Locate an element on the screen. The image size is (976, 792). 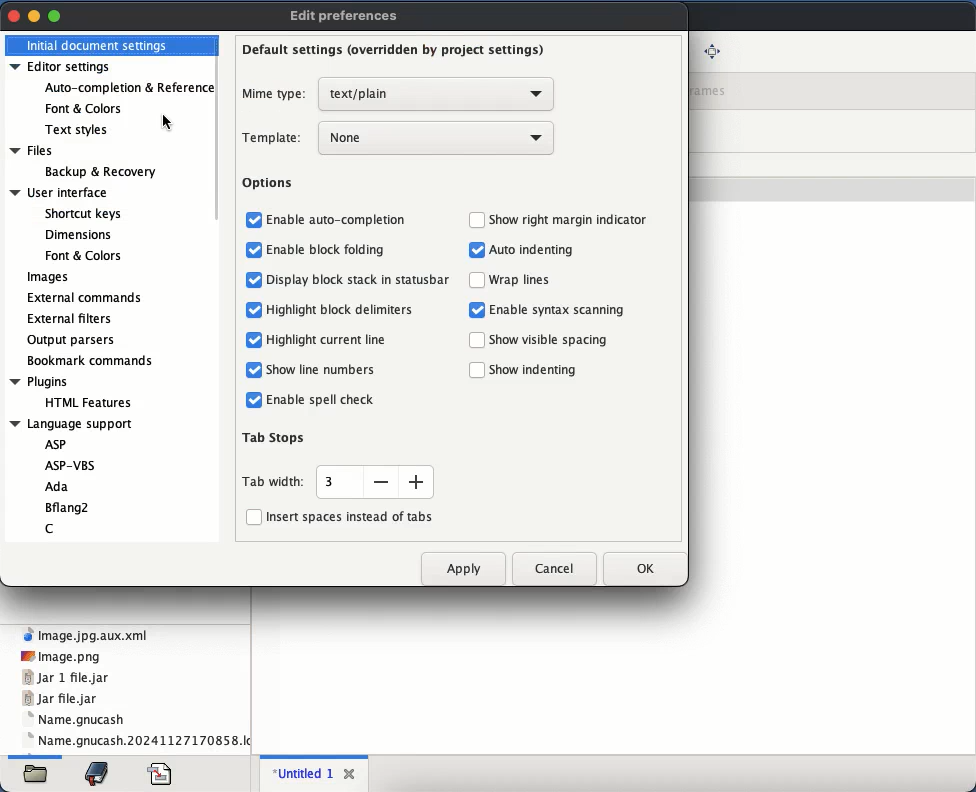
auto-completion and reference is located at coordinates (124, 87).